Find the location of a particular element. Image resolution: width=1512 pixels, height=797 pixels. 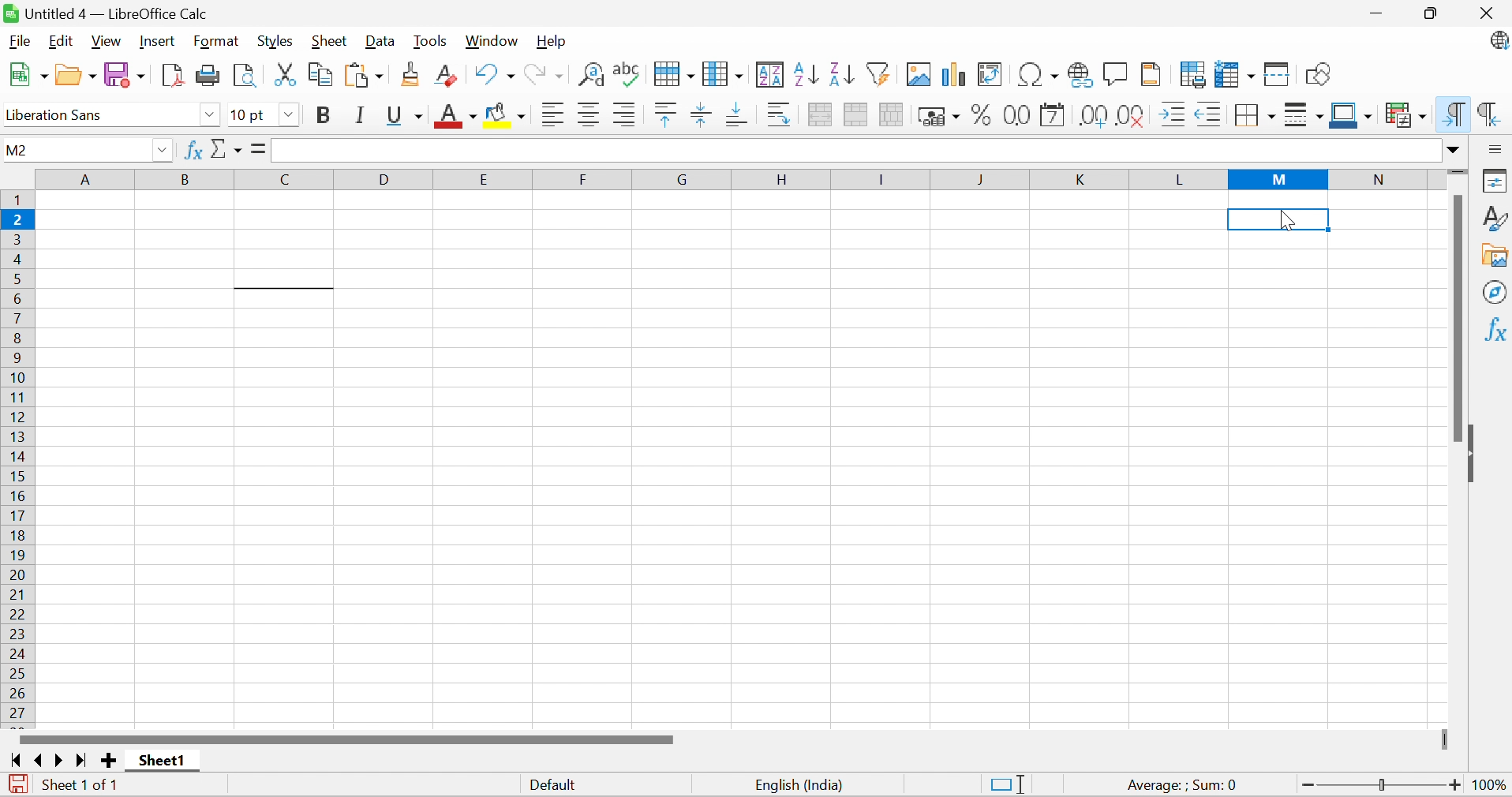

Decrease indent is located at coordinates (1207, 117).